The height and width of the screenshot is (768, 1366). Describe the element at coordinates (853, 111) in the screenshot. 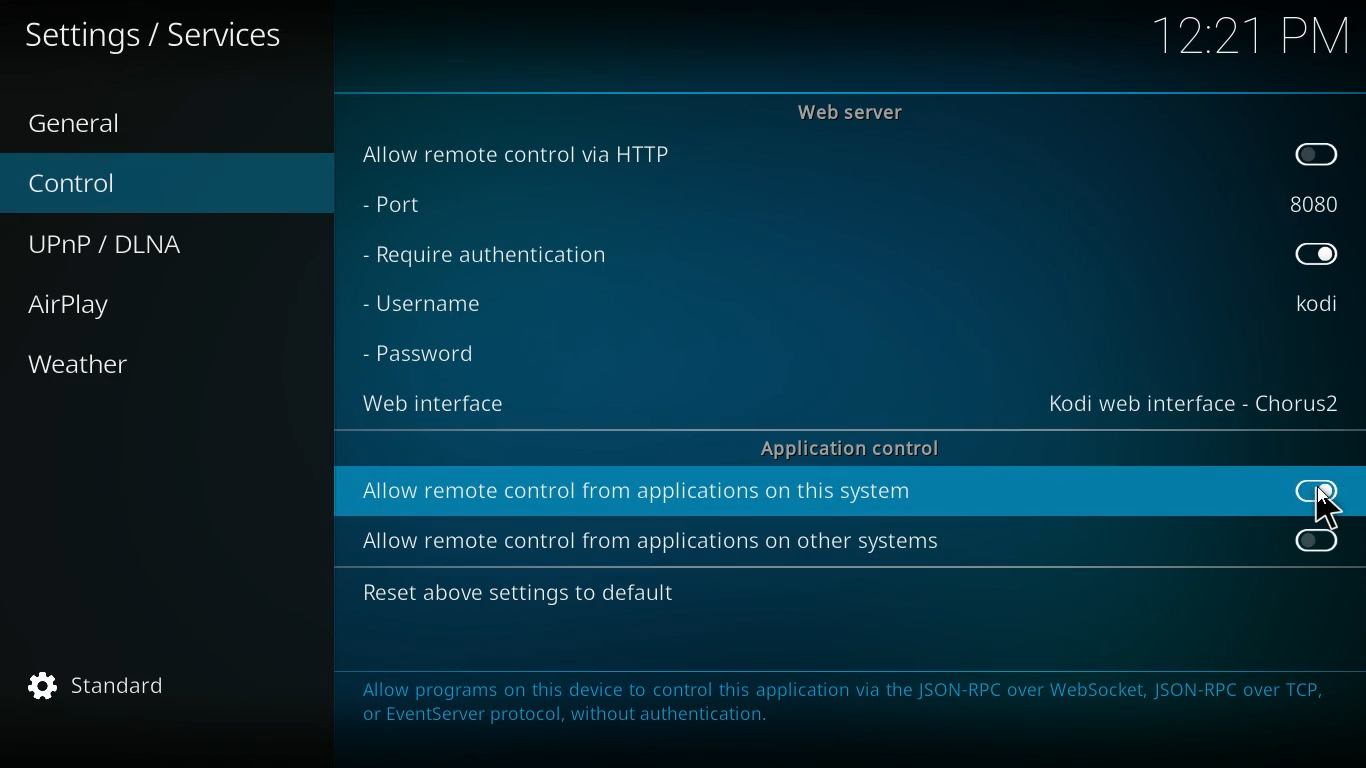

I see `web server` at that location.